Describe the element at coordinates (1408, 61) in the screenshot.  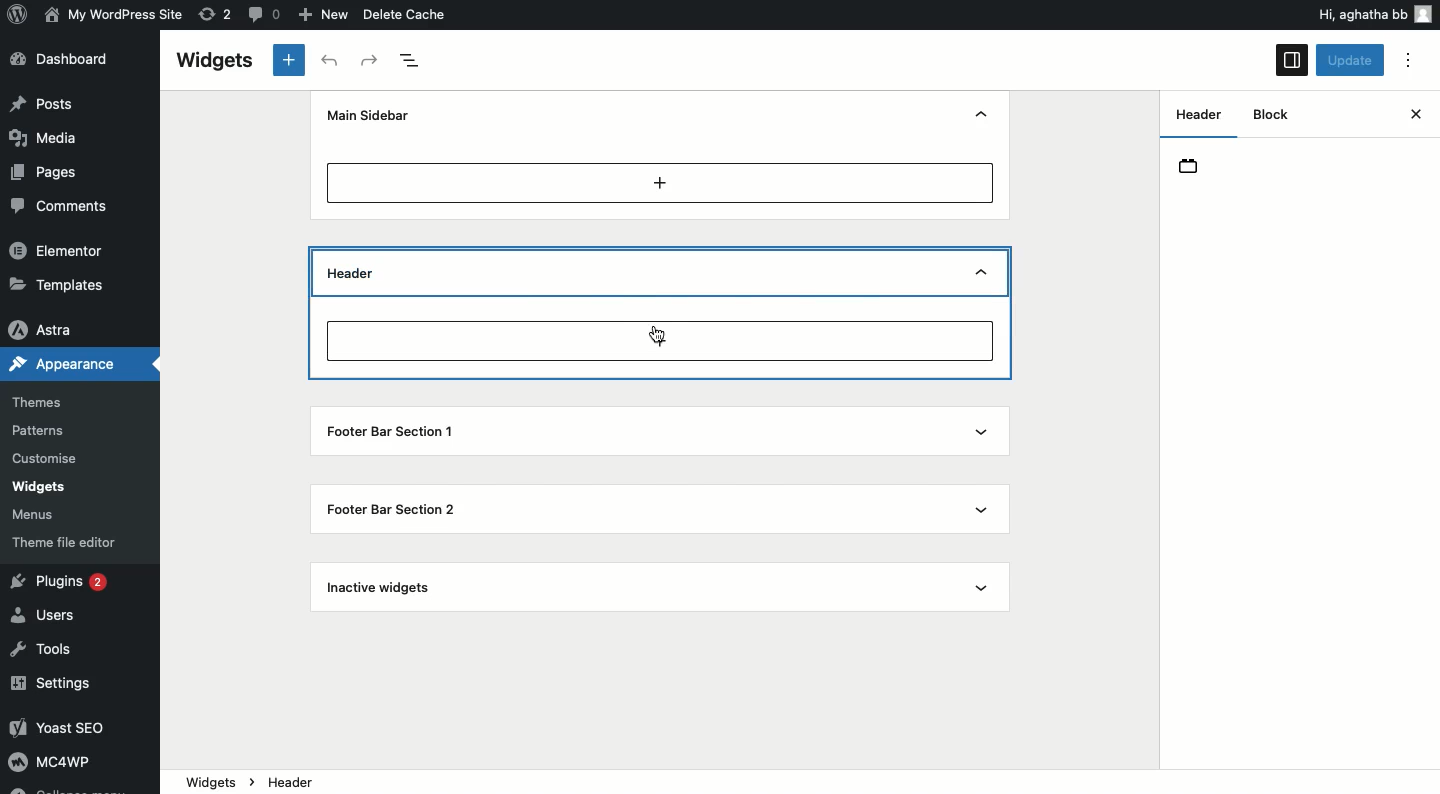
I see `Options` at that location.